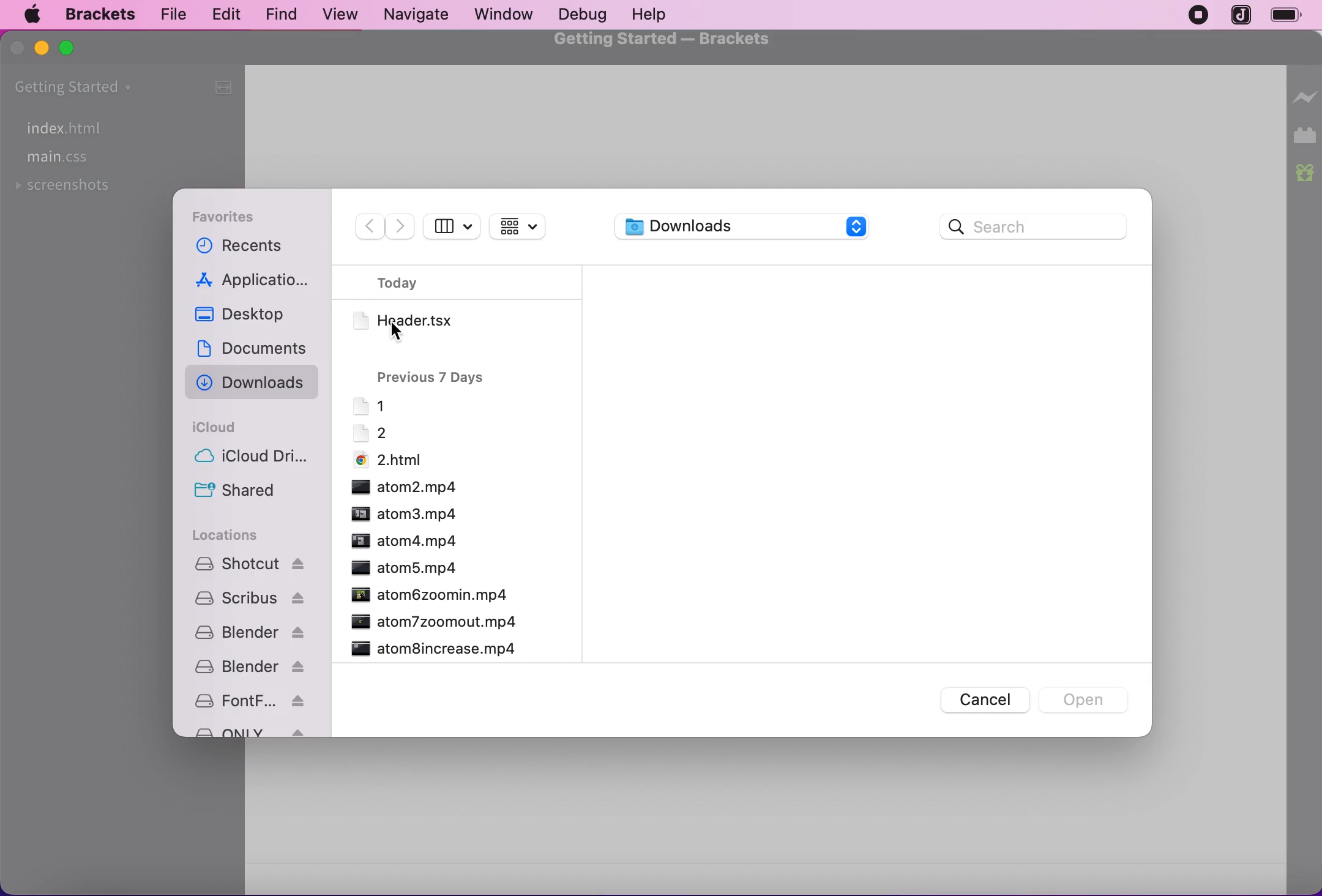 Image resolution: width=1322 pixels, height=896 pixels. What do you see at coordinates (61, 159) in the screenshot?
I see `main.css` at bounding box center [61, 159].